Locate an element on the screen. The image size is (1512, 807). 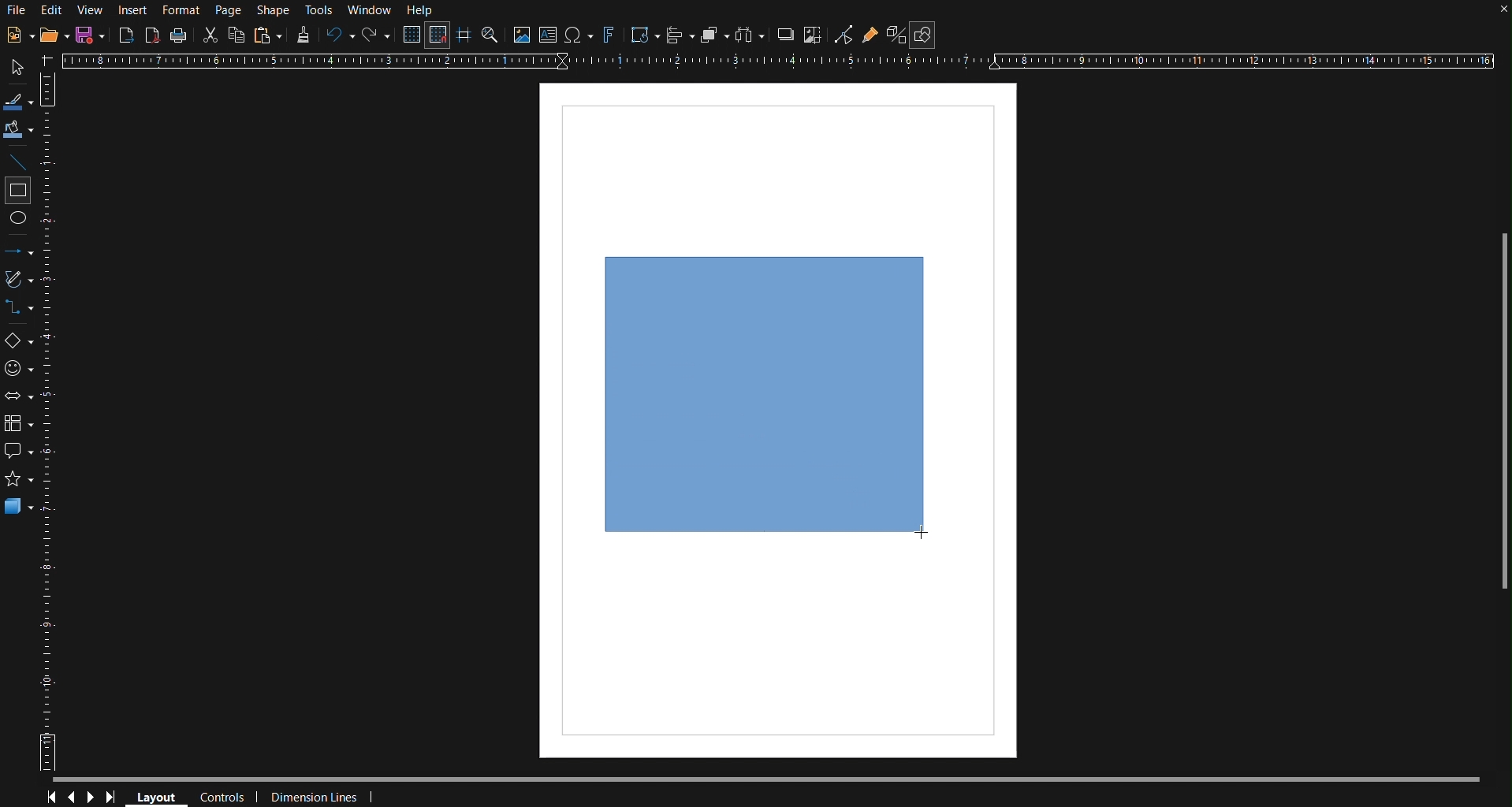
Distribute objects is located at coordinates (750, 35).